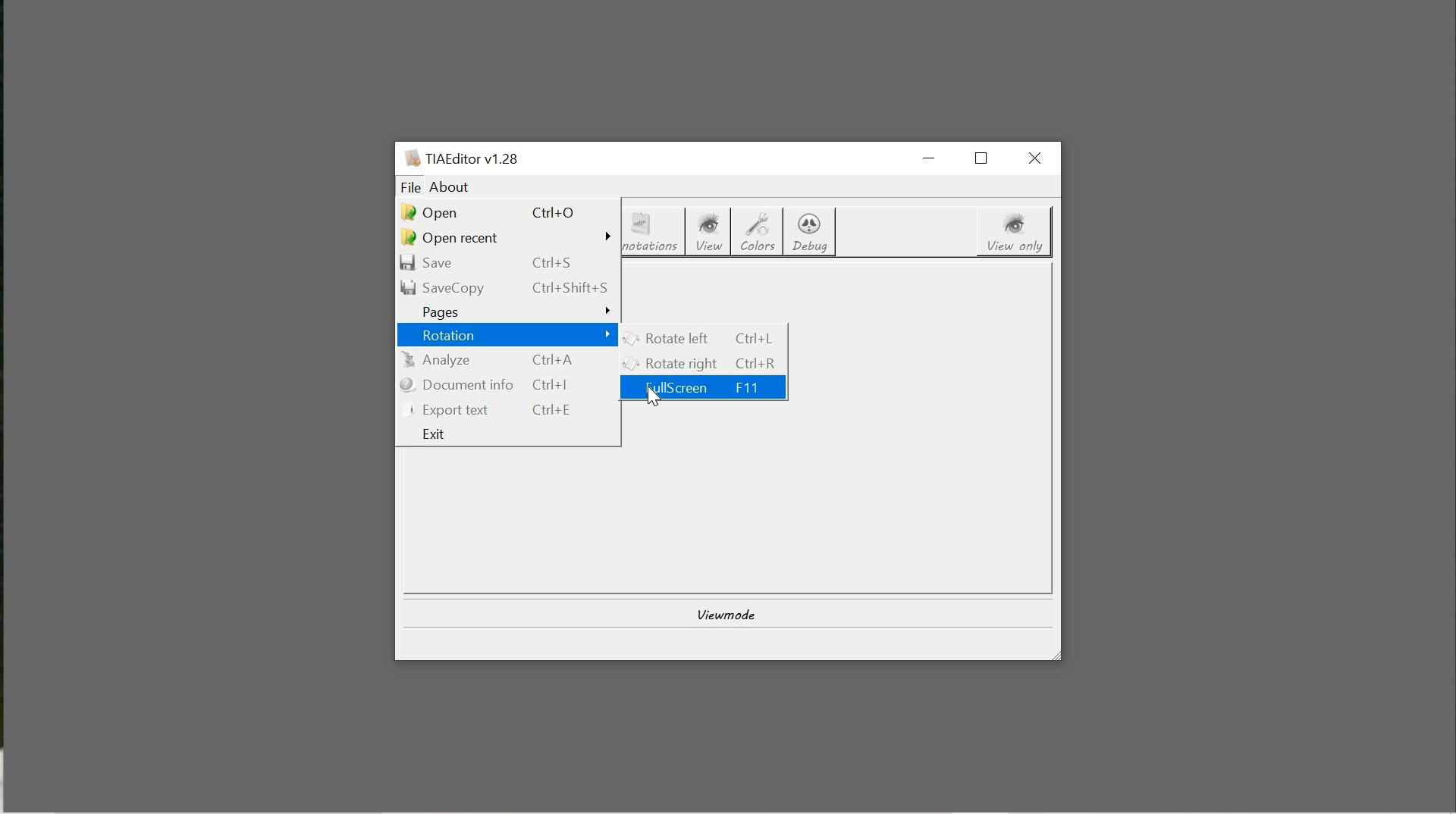 This screenshot has width=1456, height=814. What do you see at coordinates (509, 311) in the screenshot?
I see `pages` at bounding box center [509, 311].